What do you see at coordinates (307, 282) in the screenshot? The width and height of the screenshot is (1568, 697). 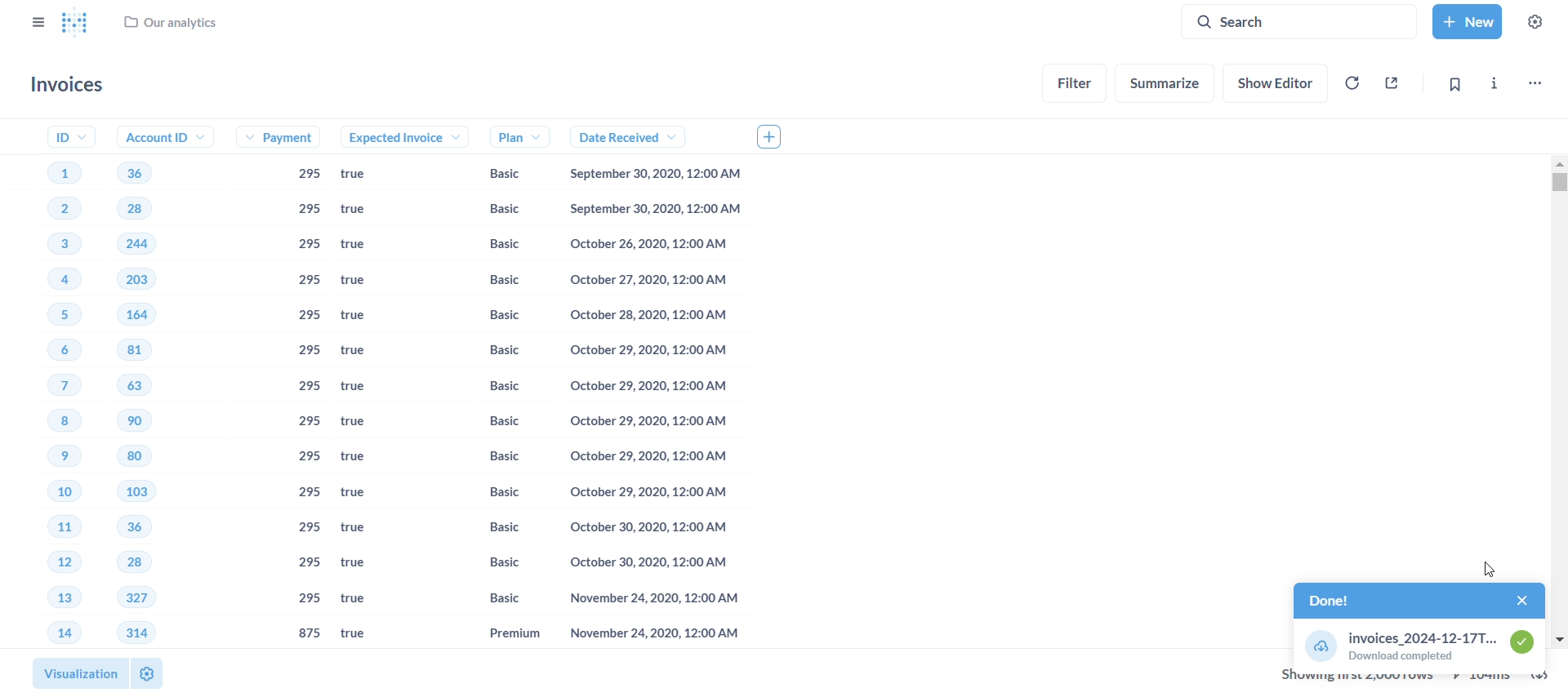 I see `295` at bounding box center [307, 282].